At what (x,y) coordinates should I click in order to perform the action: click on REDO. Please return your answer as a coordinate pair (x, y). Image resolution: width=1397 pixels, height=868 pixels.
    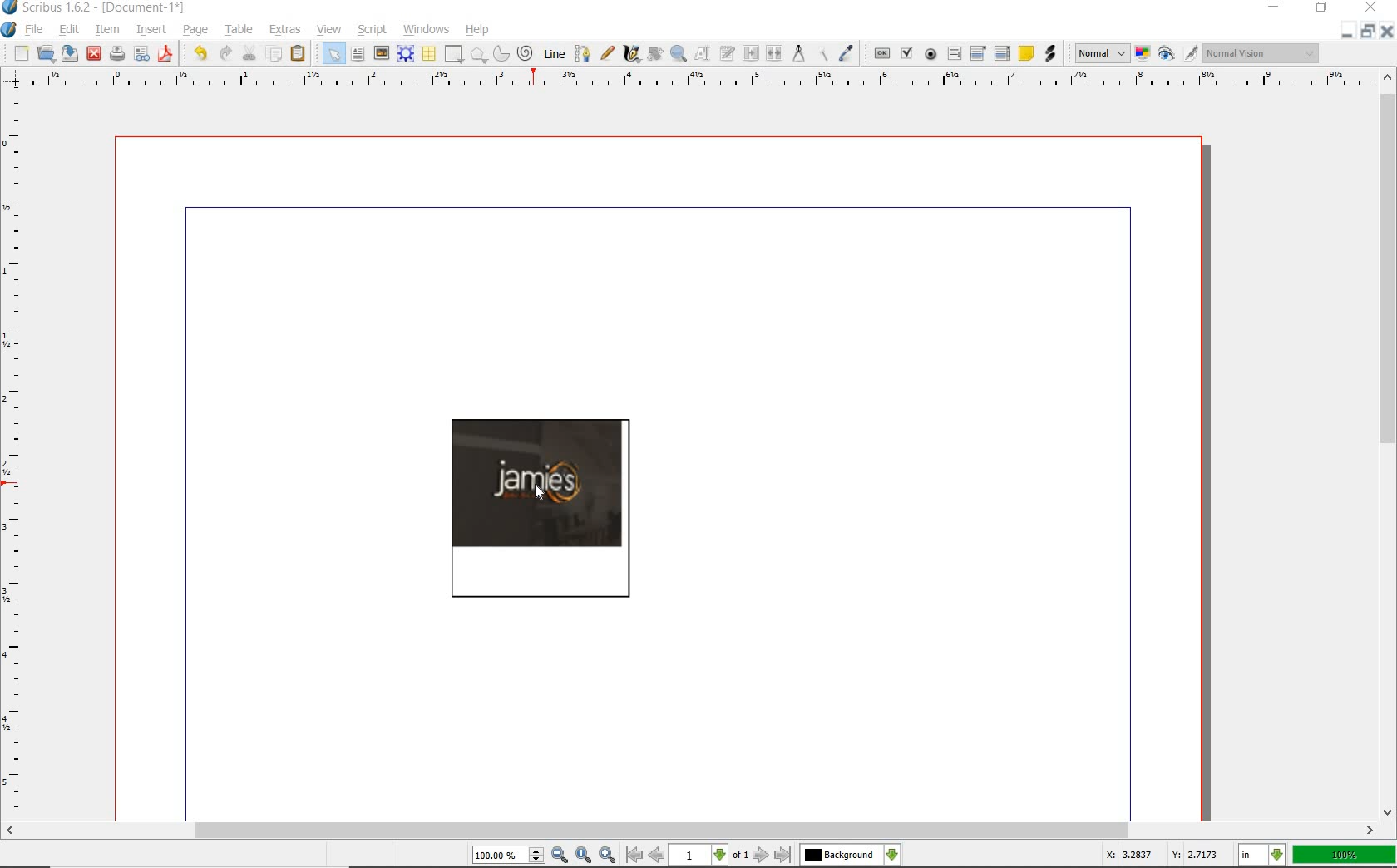
    Looking at the image, I should click on (199, 53).